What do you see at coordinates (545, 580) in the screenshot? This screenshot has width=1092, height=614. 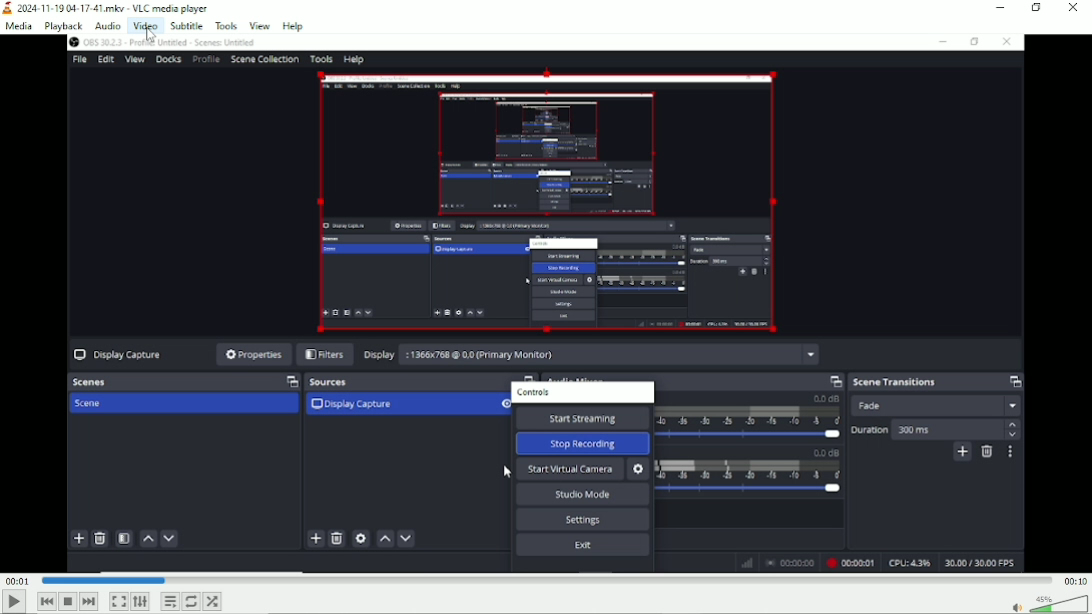 I see `Play duration` at bounding box center [545, 580].